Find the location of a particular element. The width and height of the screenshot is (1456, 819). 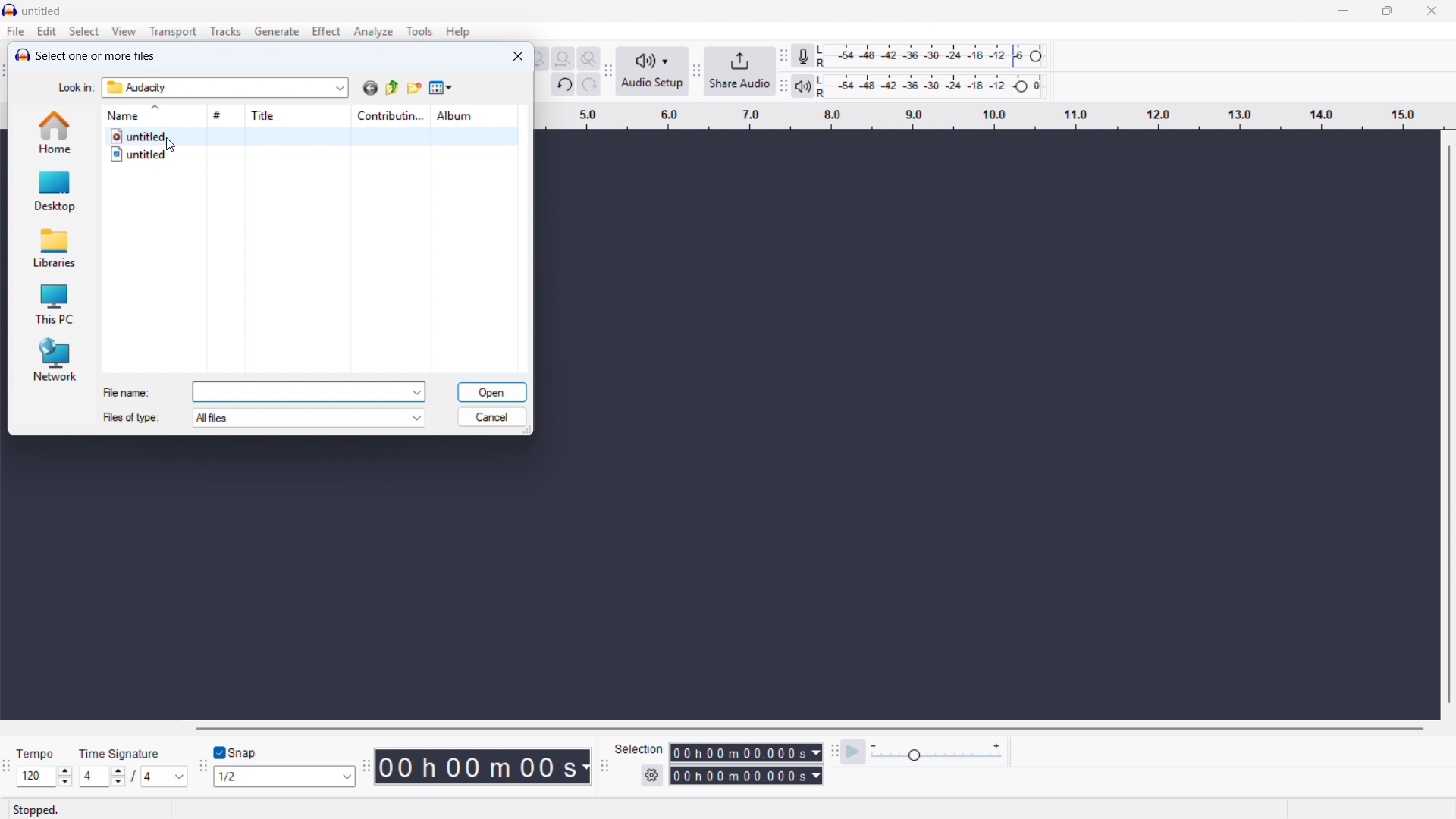

Playback metre toolbar  is located at coordinates (784, 87).